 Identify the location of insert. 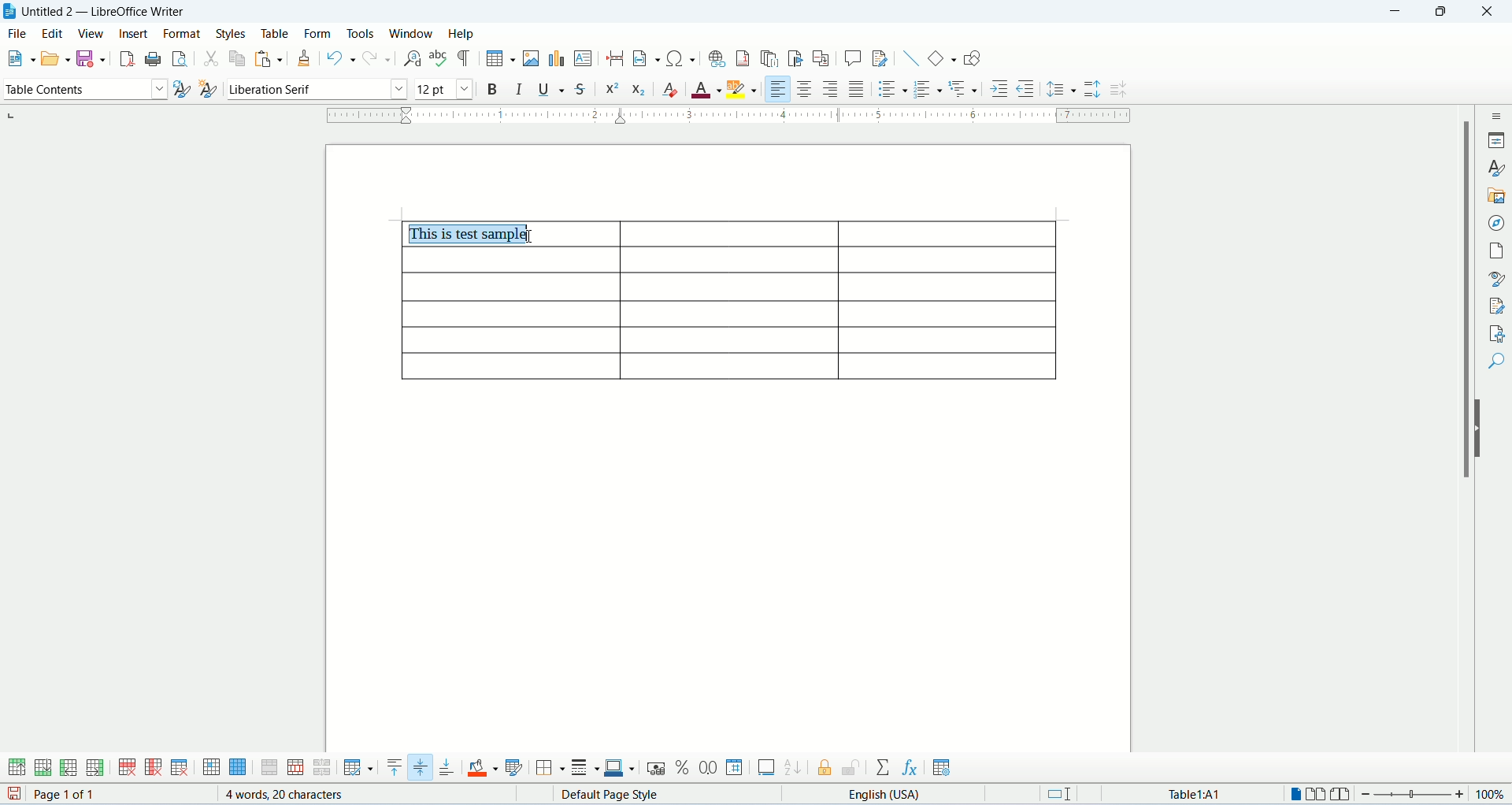
(134, 34).